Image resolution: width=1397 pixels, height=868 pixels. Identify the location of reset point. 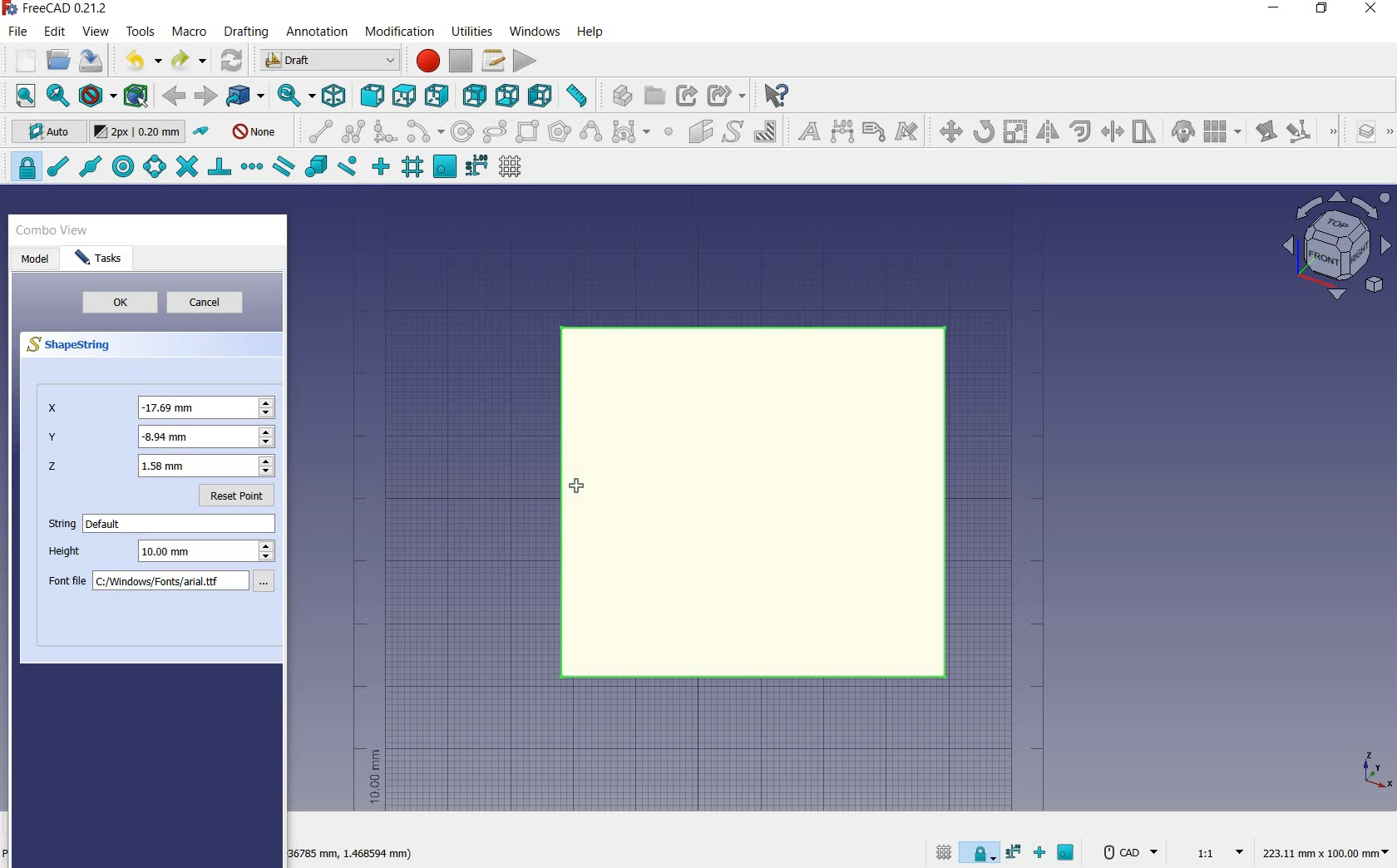
(240, 499).